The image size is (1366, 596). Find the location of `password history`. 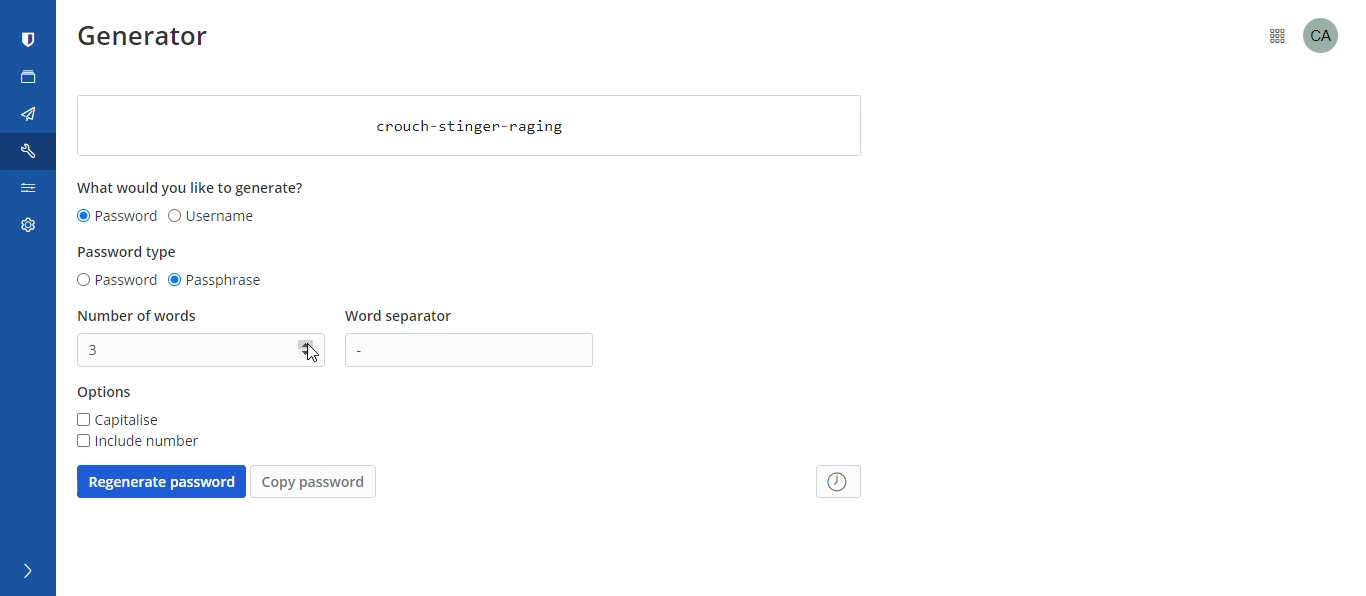

password history is located at coordinates (840, 481).